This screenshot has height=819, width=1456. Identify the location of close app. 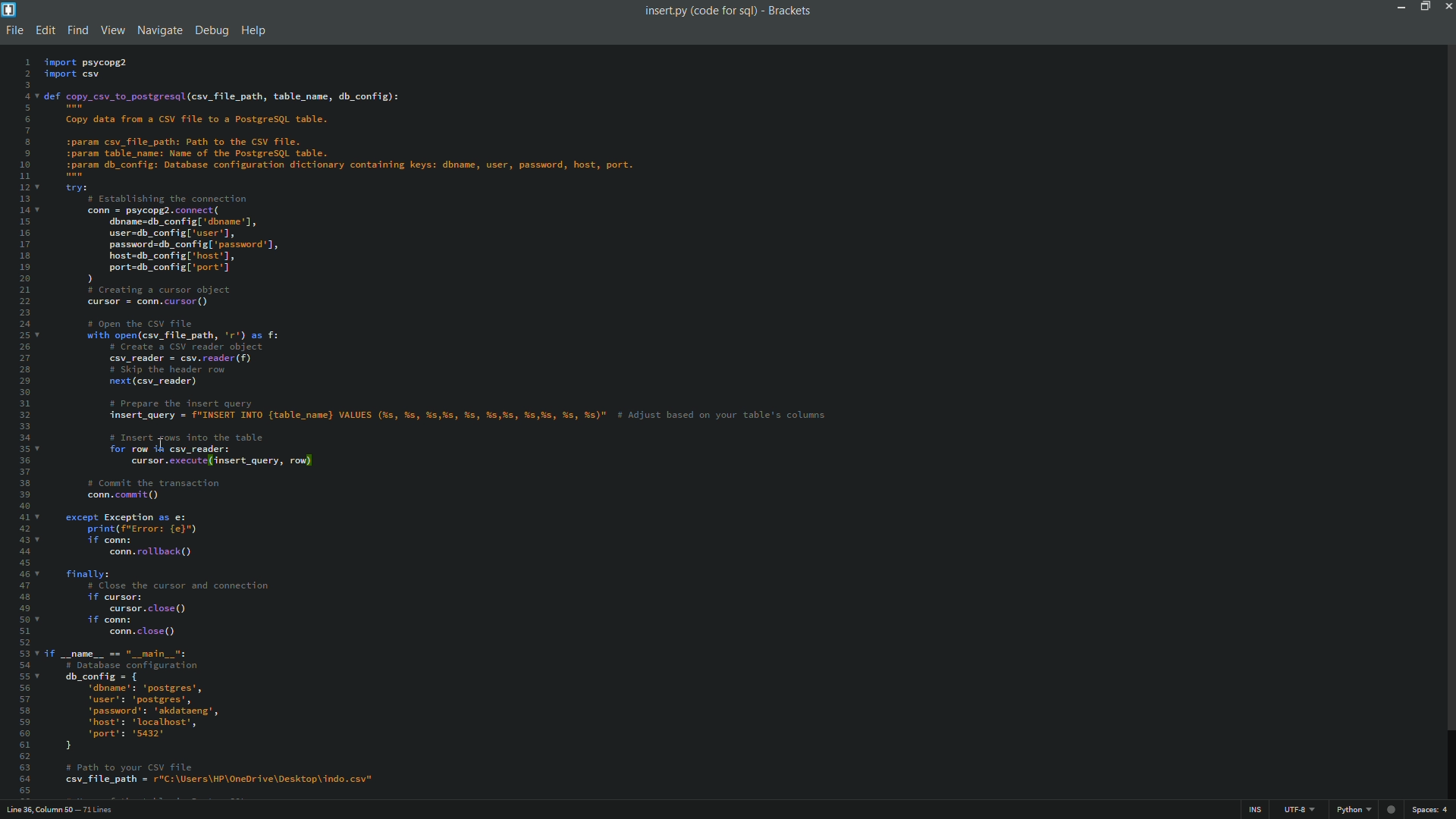
(1447, 6).